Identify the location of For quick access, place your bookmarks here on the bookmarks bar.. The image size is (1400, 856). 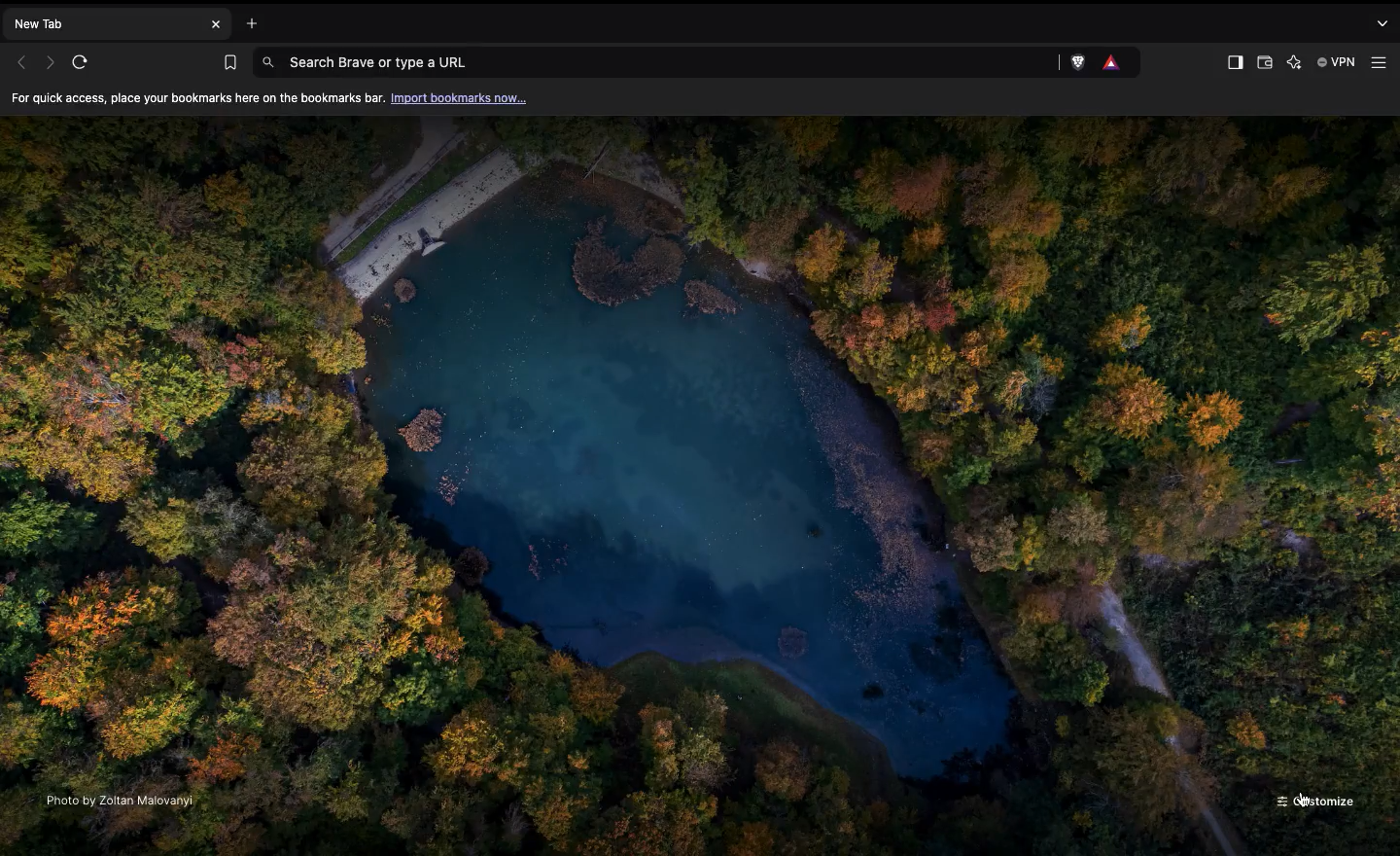
(198, 99).